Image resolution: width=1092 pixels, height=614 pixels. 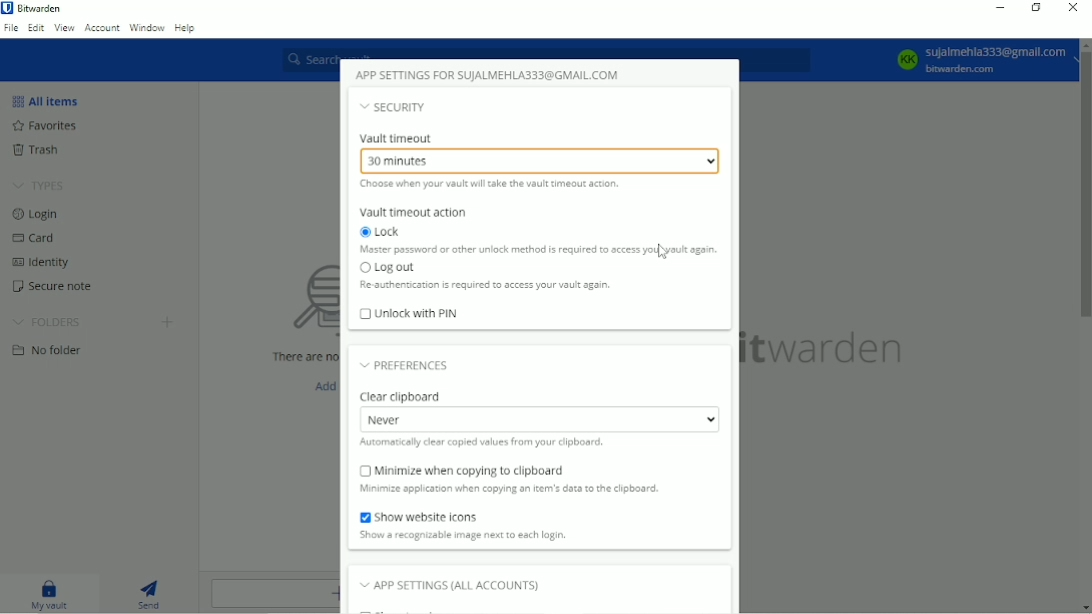 I want to click on Never, so click(x=538, y=419).